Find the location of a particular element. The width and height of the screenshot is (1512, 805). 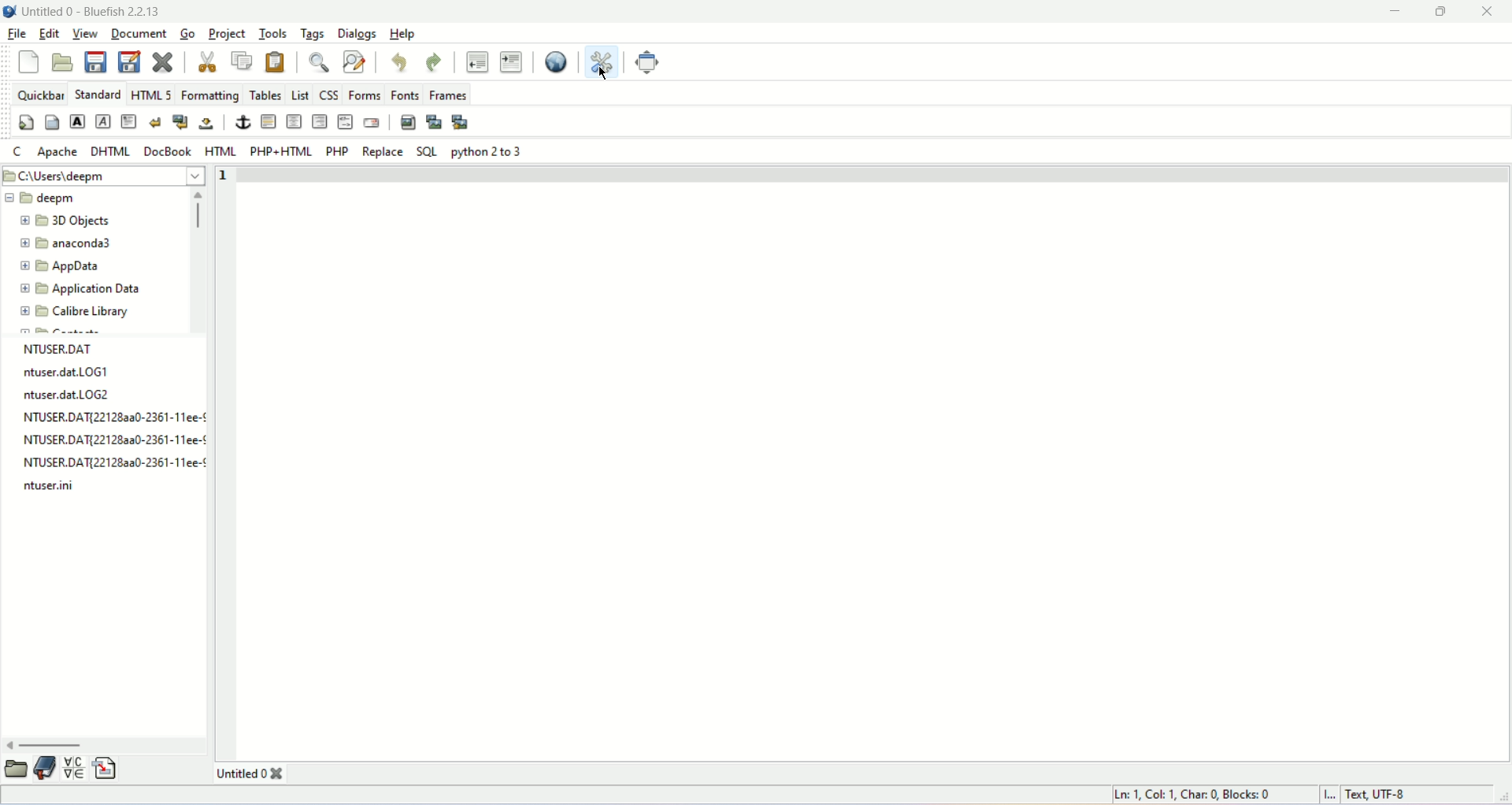

HTML 5 is located at coordinates (153, 95).